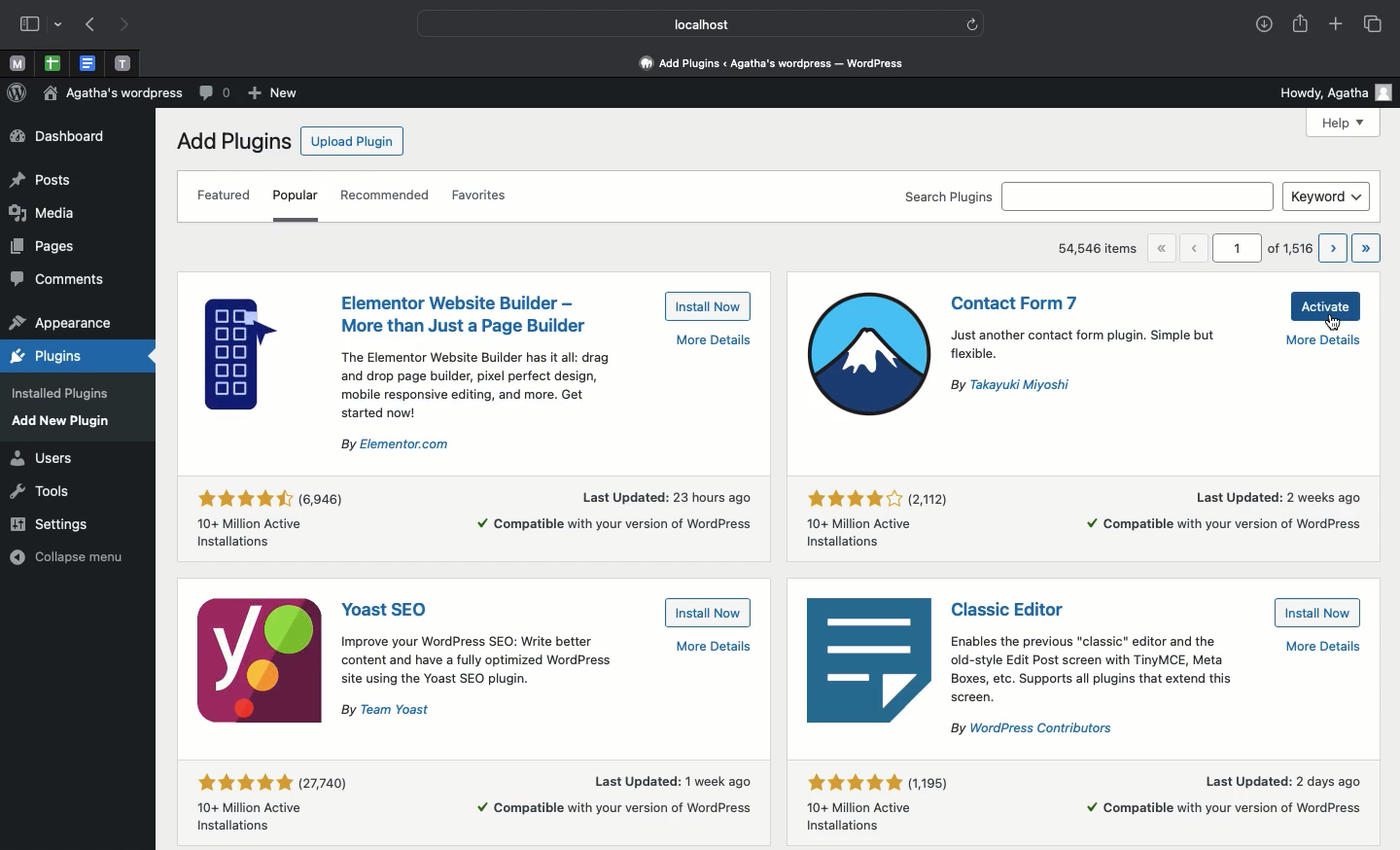 This screenshot has height=850, width=1400. What do you see at coordinates (18, 65) in the screenshot?
I see `Pinned tabs` at bounding box center [18, 65].